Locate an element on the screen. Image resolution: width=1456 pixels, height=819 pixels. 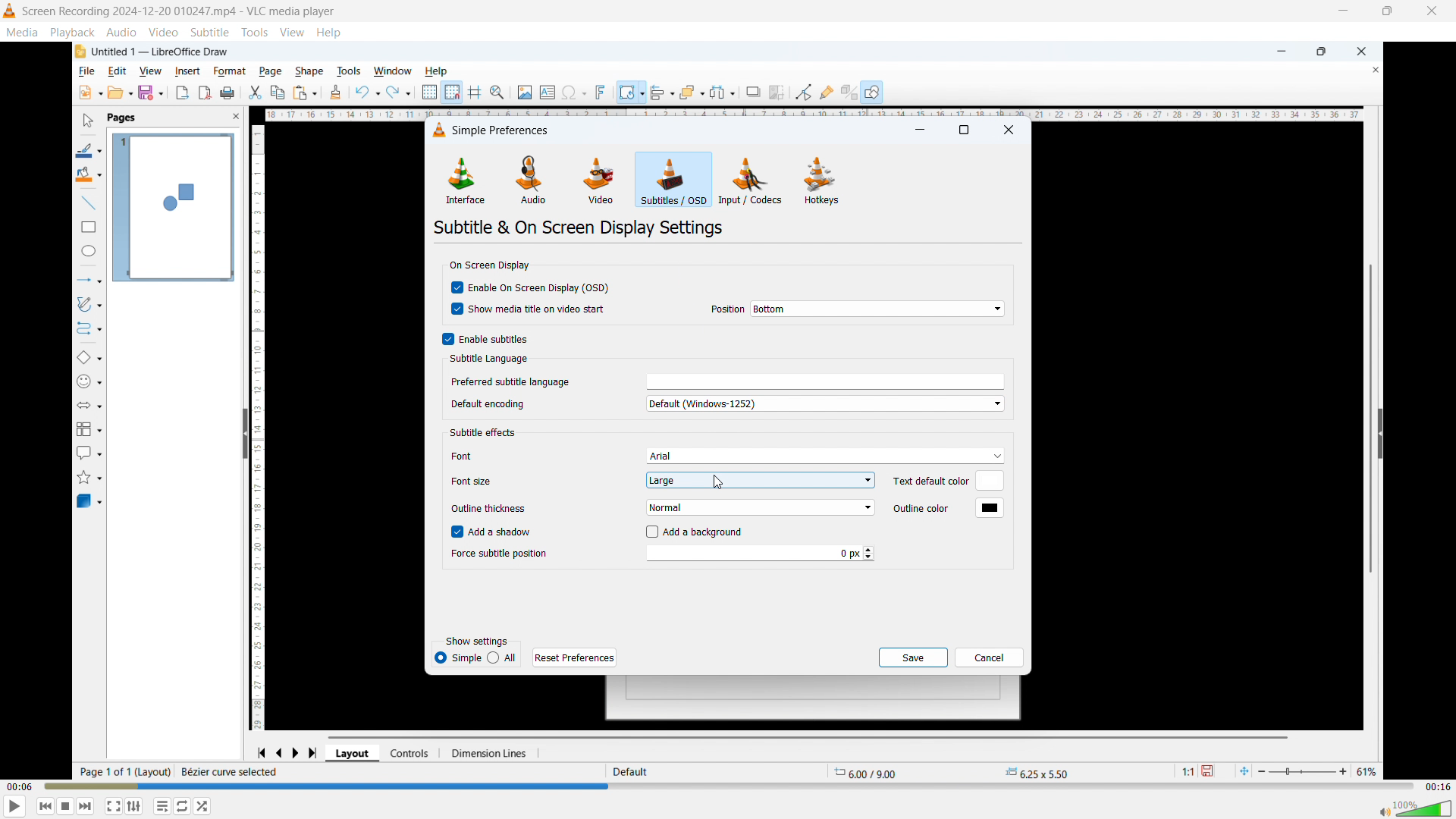
On screen display  is located at coordinates (491, 265).